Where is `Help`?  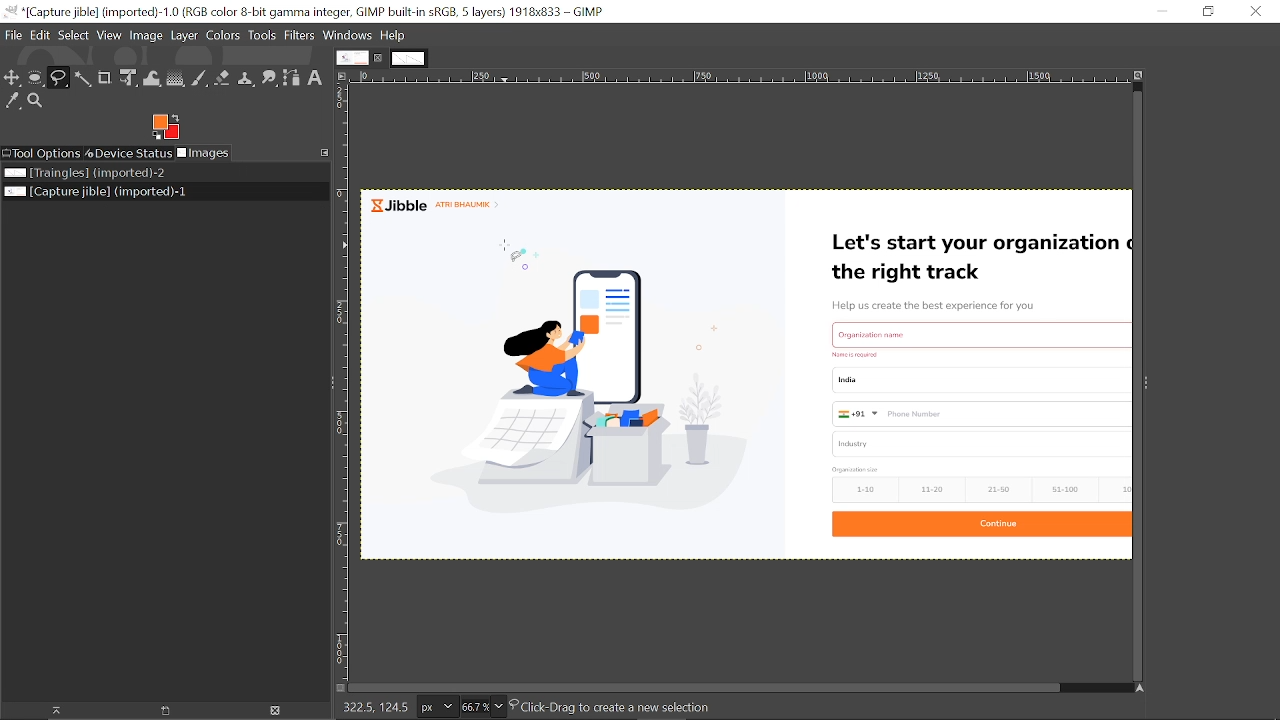 Help is located at coordinates (393, 36).